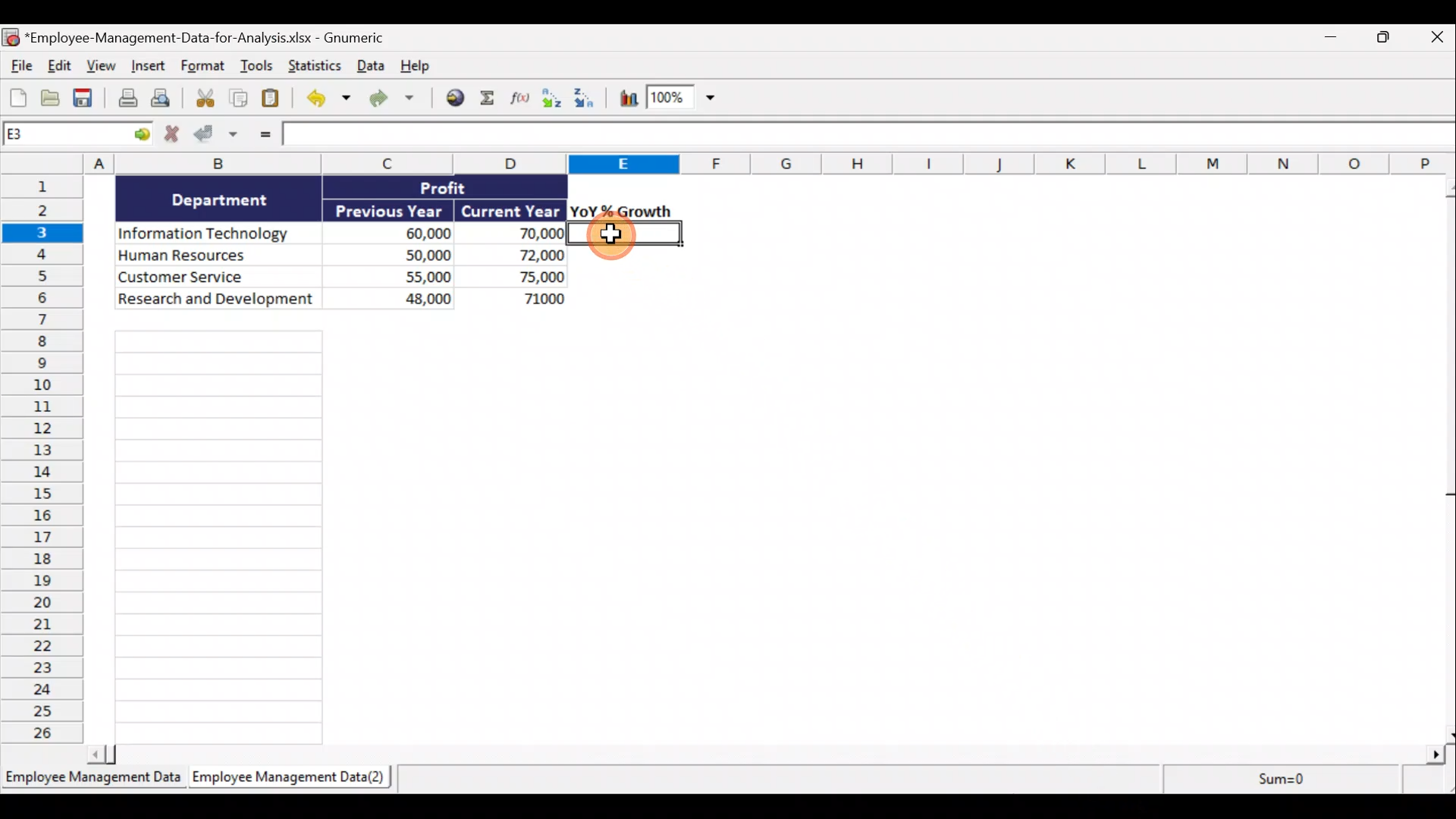 The height and width of the screenshot is (819, 1456). Describe the element at coordinates (454, 99) in the screenshot. I see `Insert hyperlink` at that location.